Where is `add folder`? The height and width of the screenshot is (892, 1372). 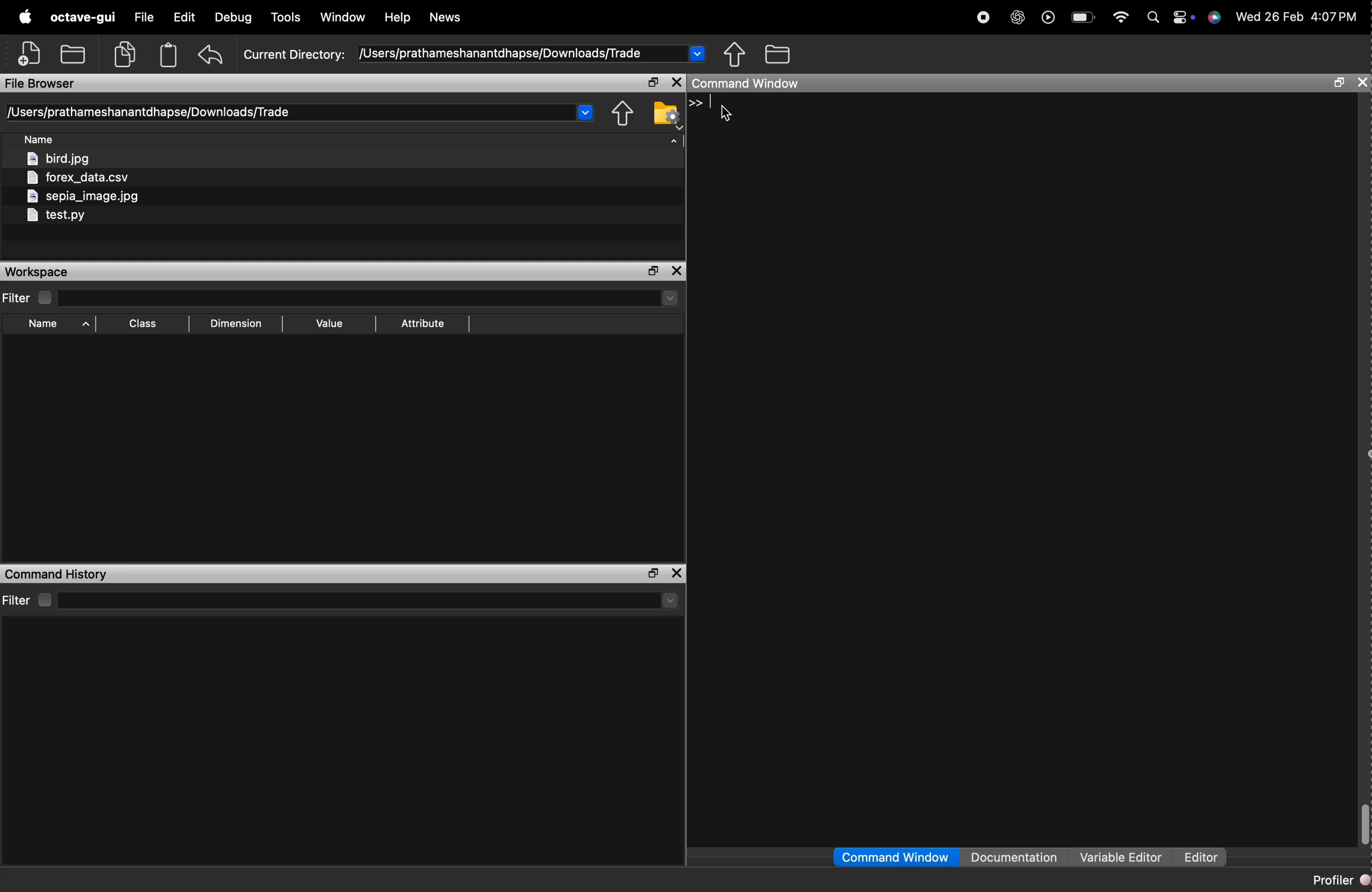
add folder is located at coordinates (72, 55).